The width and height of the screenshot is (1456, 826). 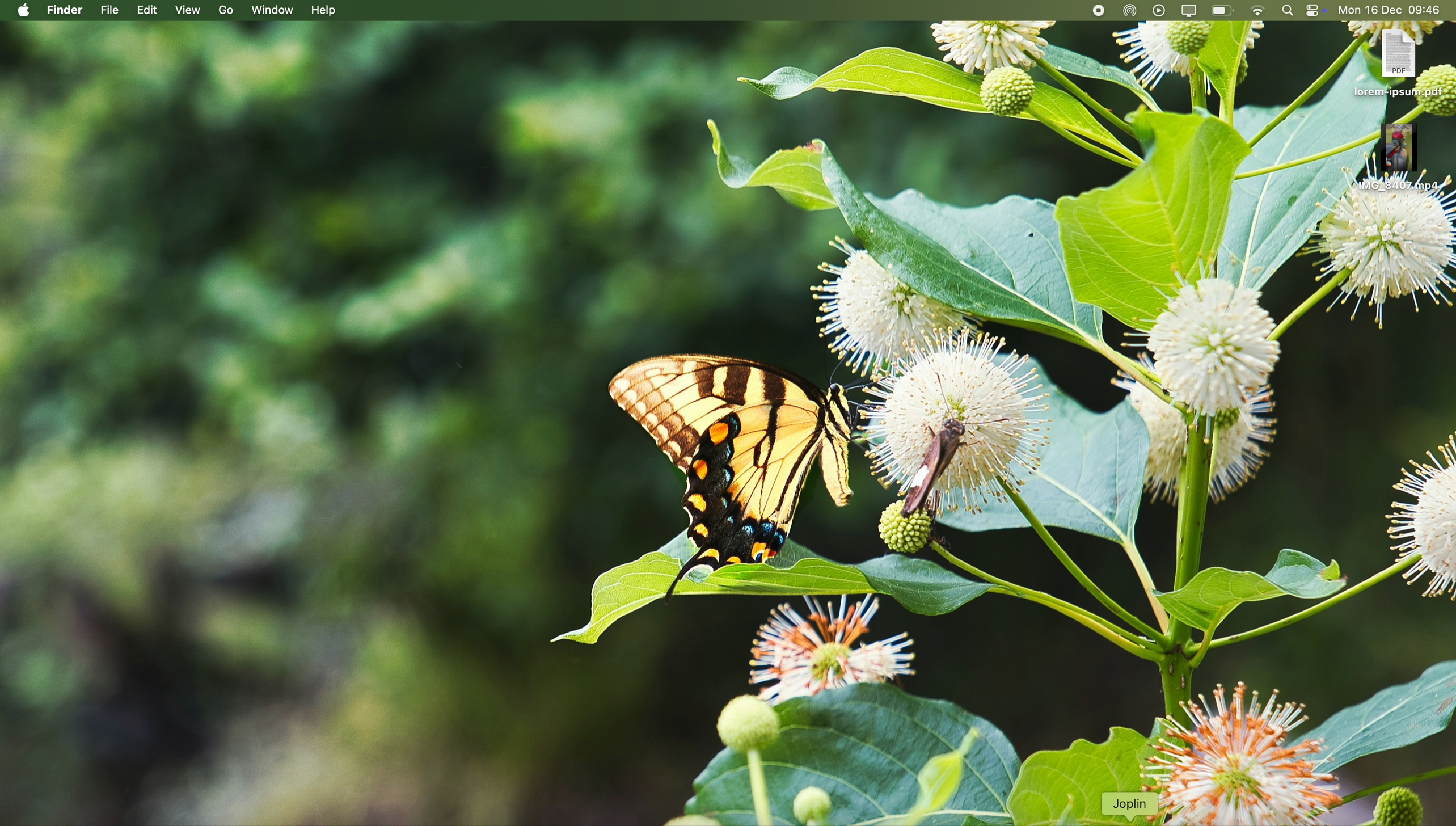 What do you see at coordinates (1260, 11) in the screenshot?
I see `wifi` at bounding box center [1260, 11].